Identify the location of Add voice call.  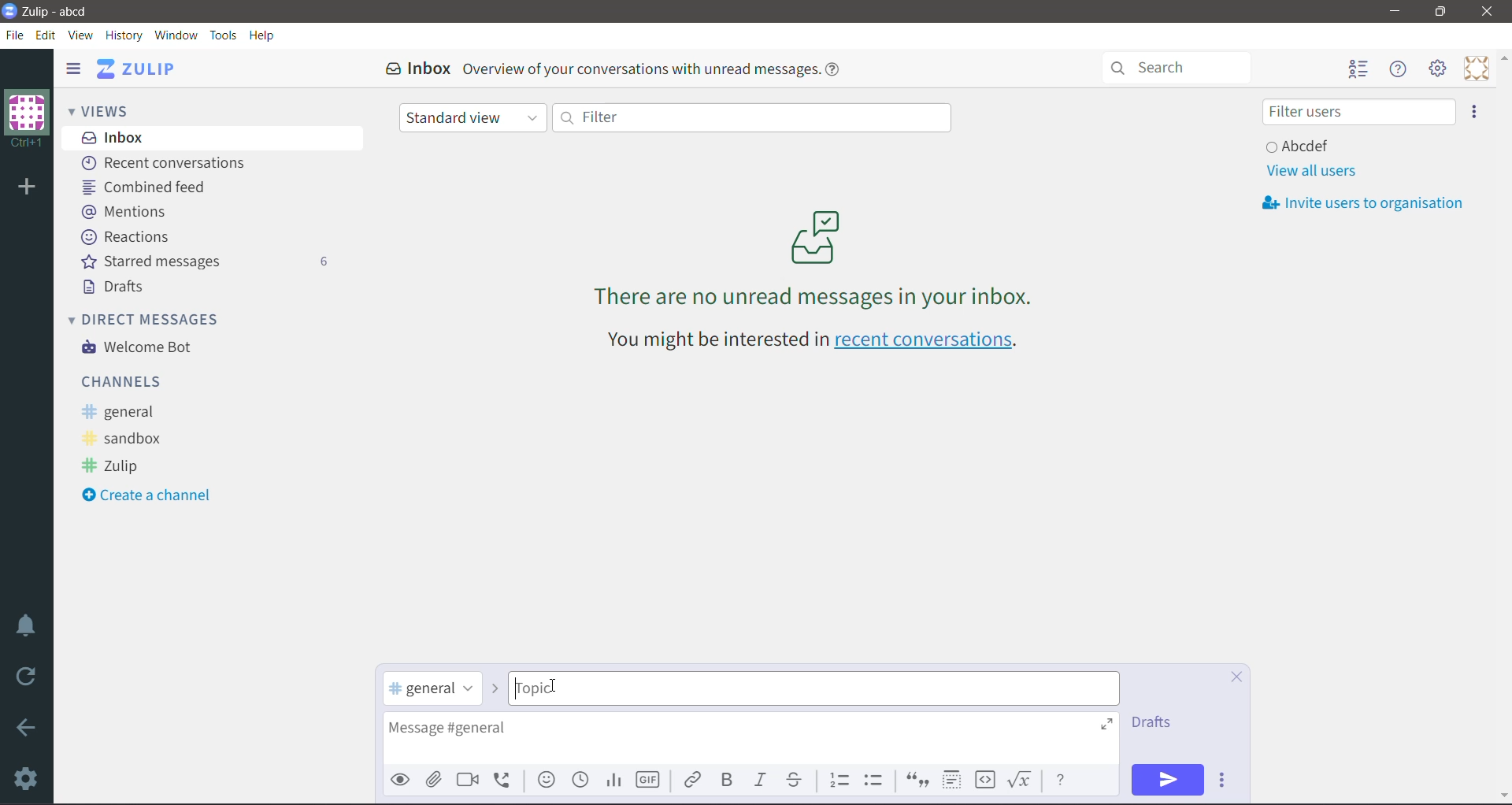
(507, 779).